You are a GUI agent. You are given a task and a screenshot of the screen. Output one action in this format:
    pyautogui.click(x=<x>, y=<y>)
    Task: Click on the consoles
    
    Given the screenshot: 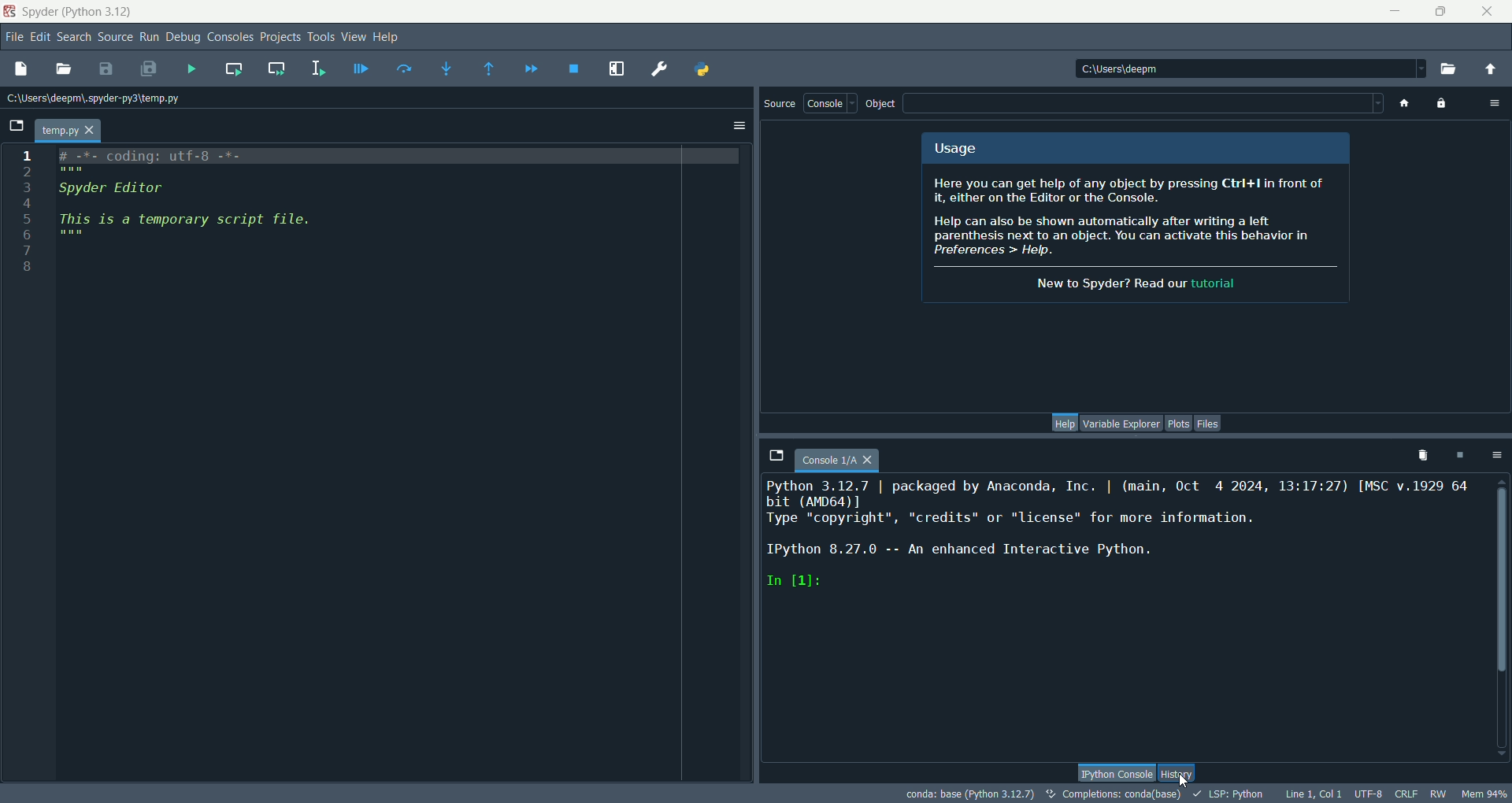 What is the action you would take?
    pyautogui.click(x=228, y=35)
    